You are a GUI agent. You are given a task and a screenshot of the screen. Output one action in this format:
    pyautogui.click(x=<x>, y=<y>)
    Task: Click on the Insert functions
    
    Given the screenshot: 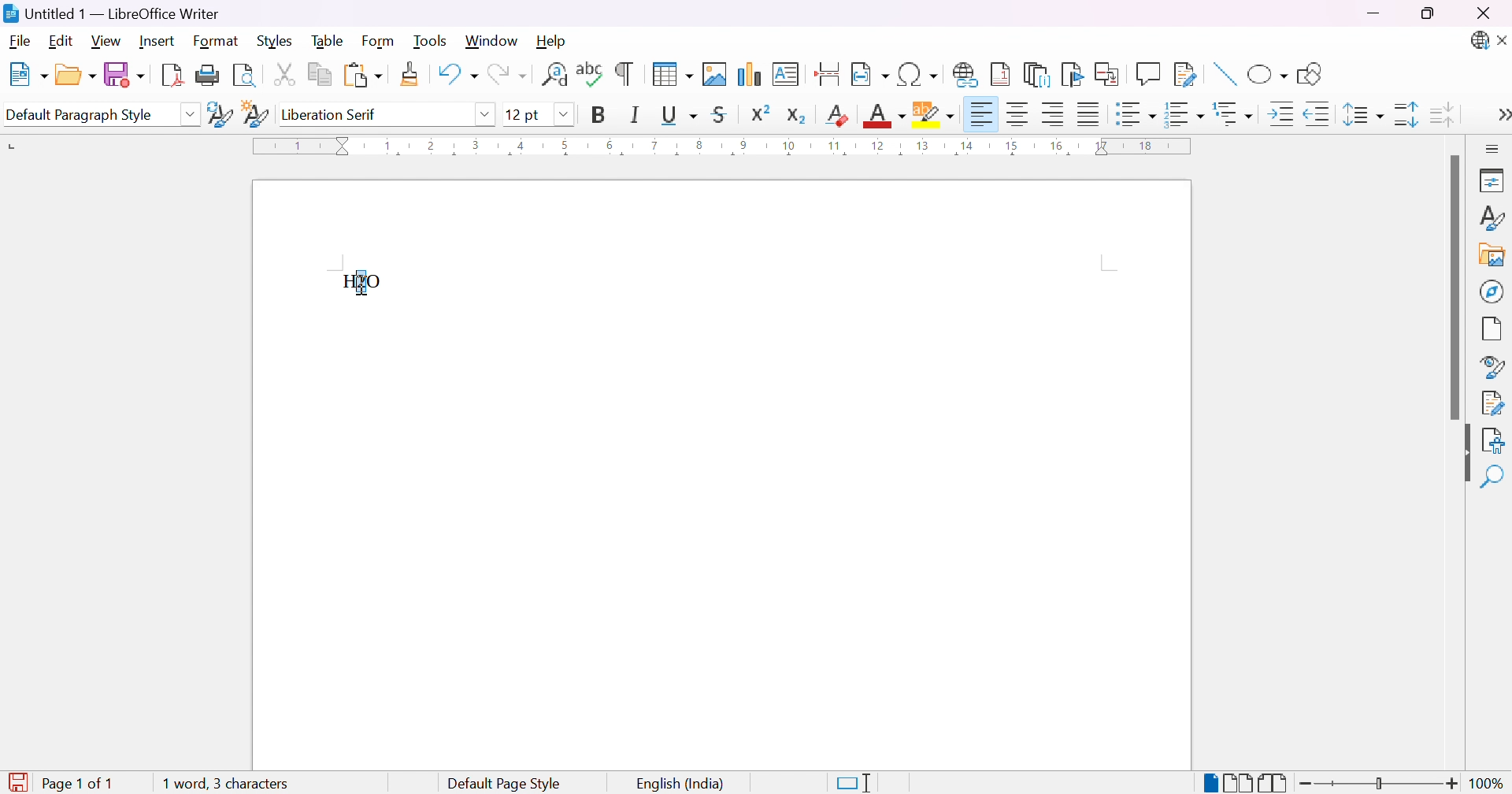 What is the action you would take?
    pyautogui.click(x=1147, y=74)
    